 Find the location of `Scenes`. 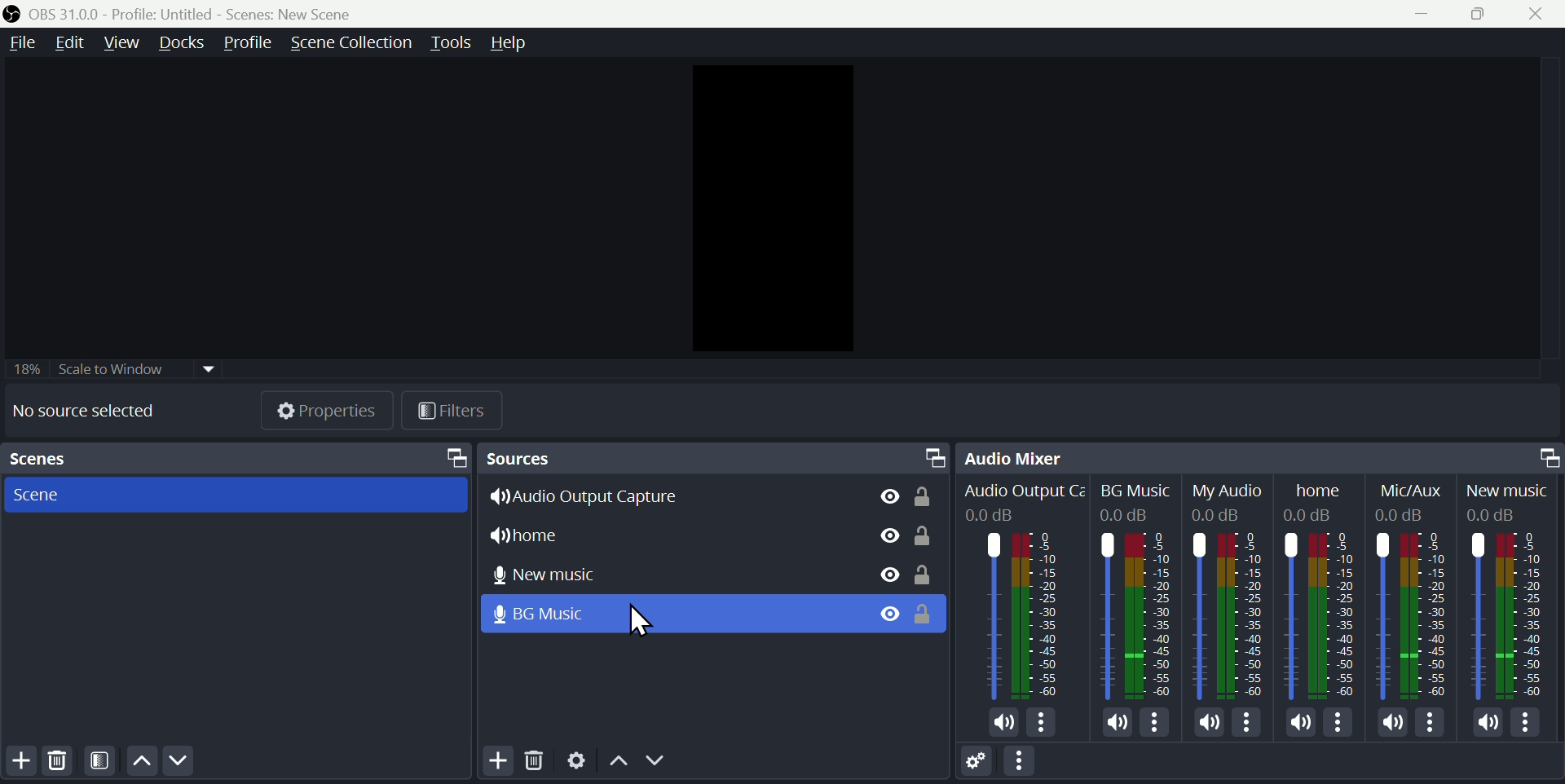

Scenes is located at coordinates (48, 460).